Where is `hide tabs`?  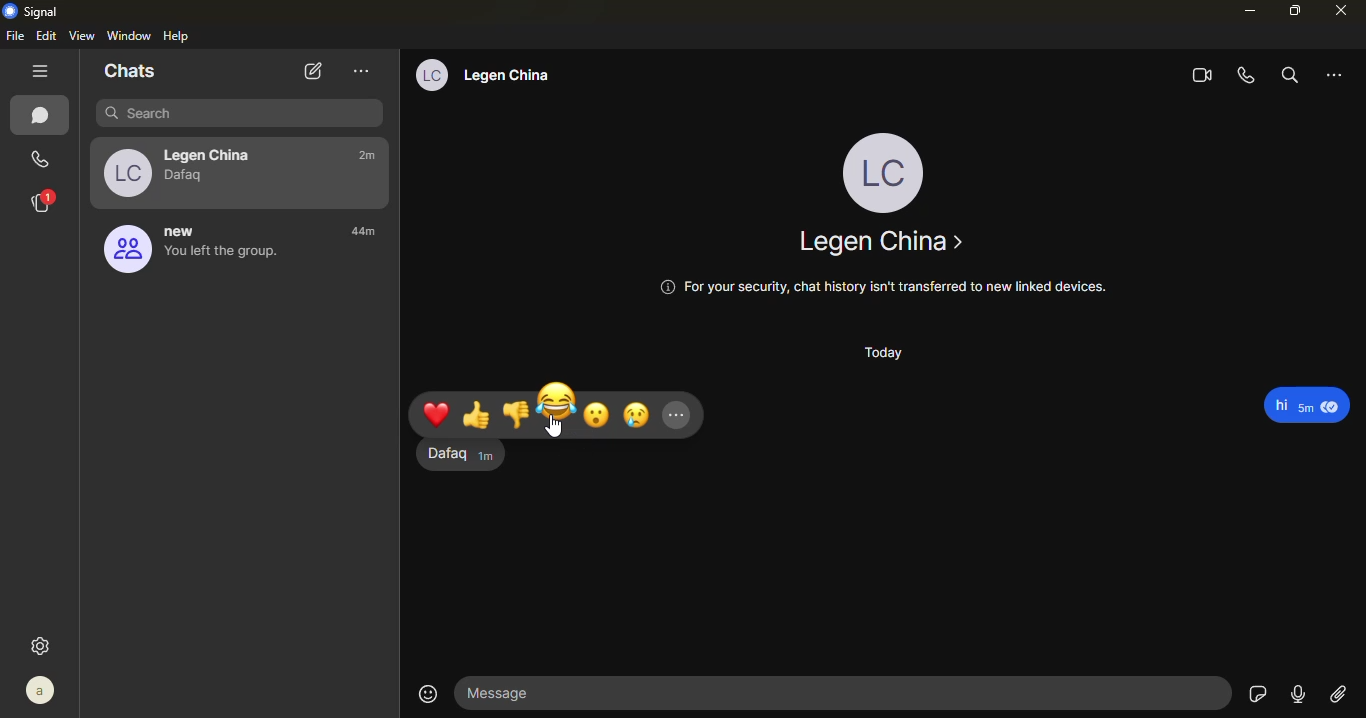
hide tabs is located at coordinates (42, 72).